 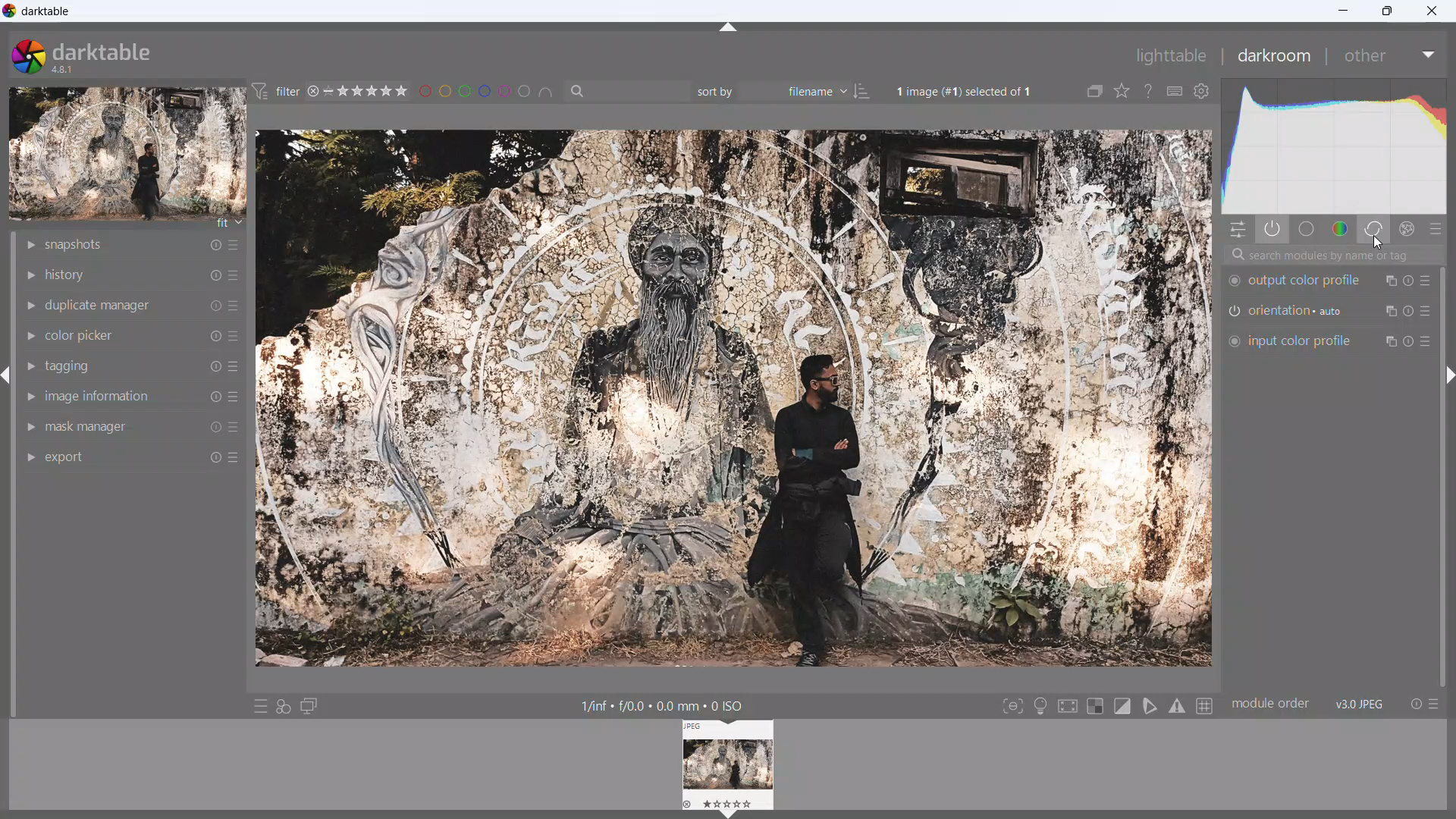 I want to click on reject rating, so click(x=314, y=93).